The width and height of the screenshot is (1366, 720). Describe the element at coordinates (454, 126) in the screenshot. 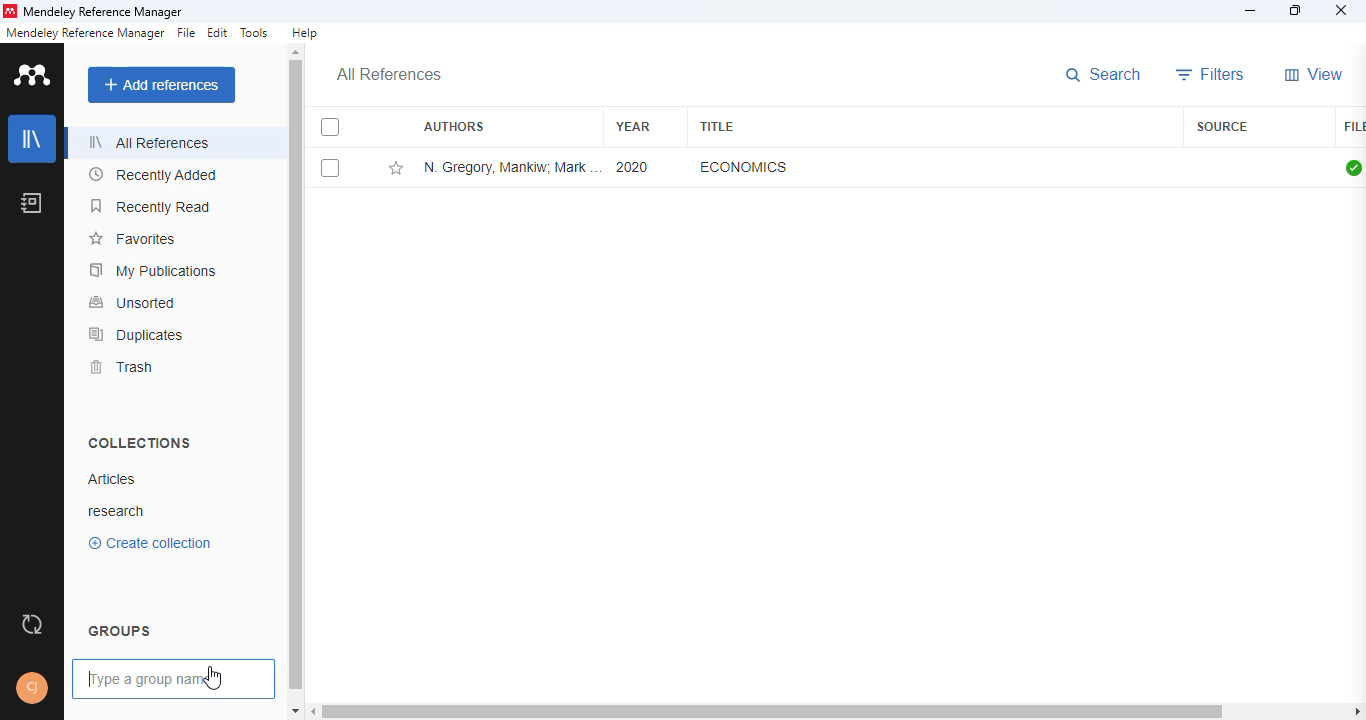

I see `authors` at that location.